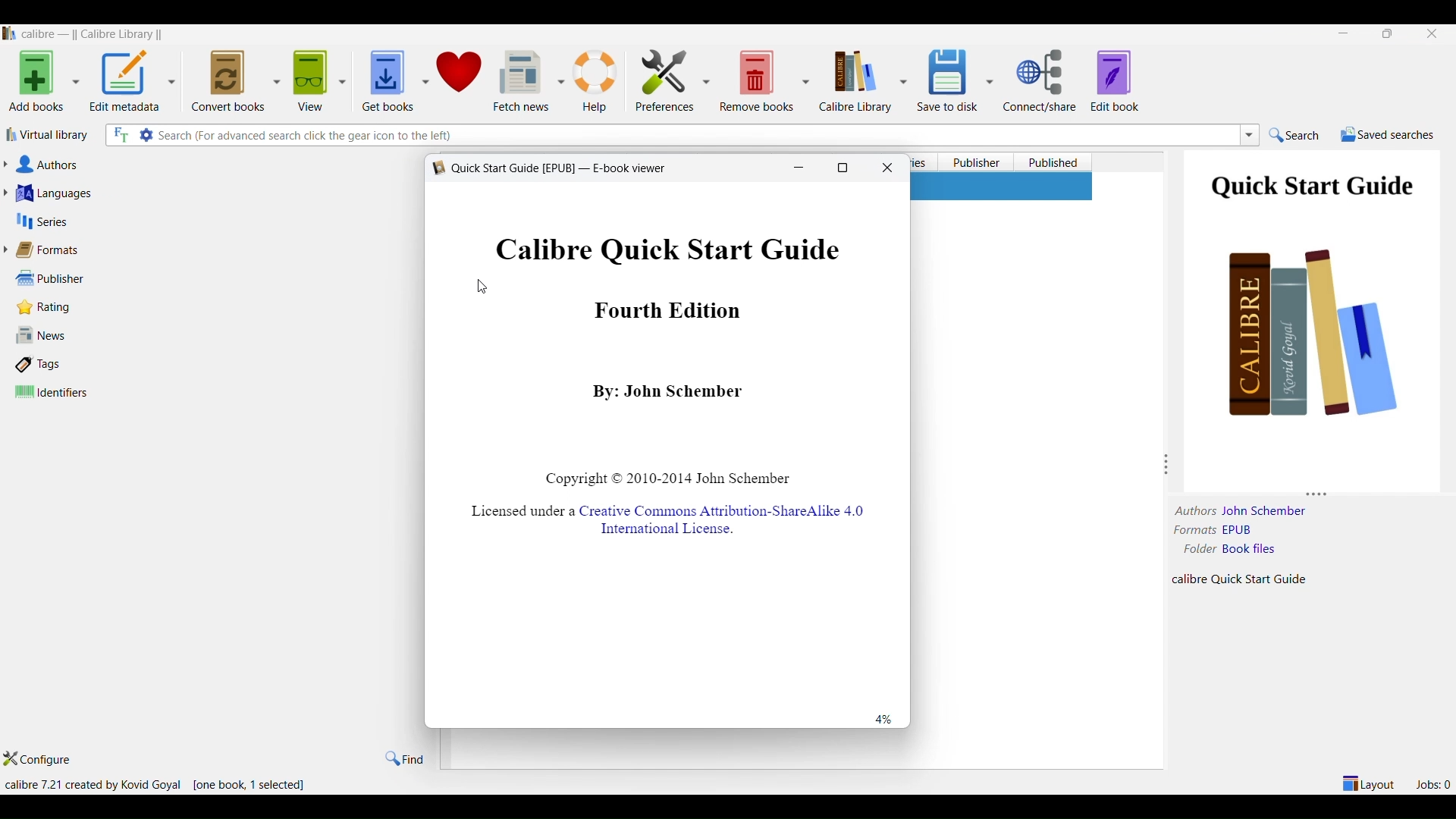  I want to click on search settings, so click(147, 136).